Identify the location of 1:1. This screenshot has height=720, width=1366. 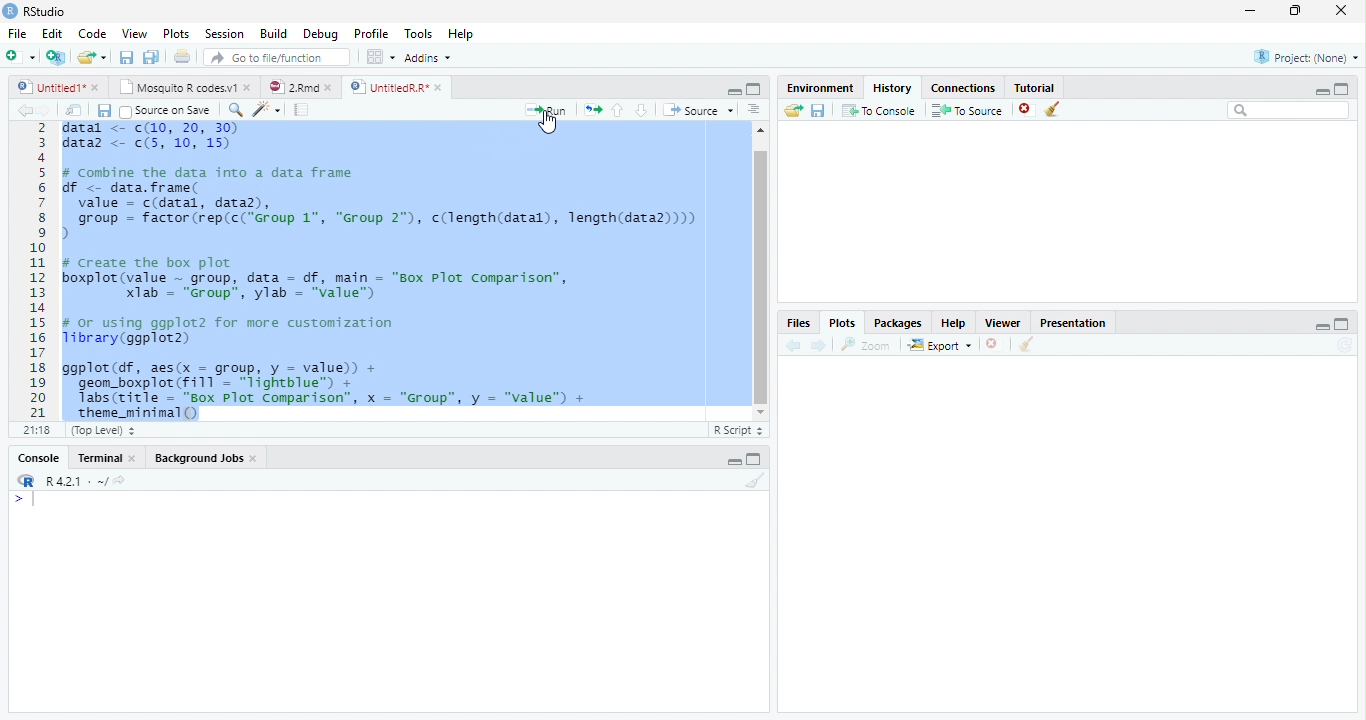
(35, 430).